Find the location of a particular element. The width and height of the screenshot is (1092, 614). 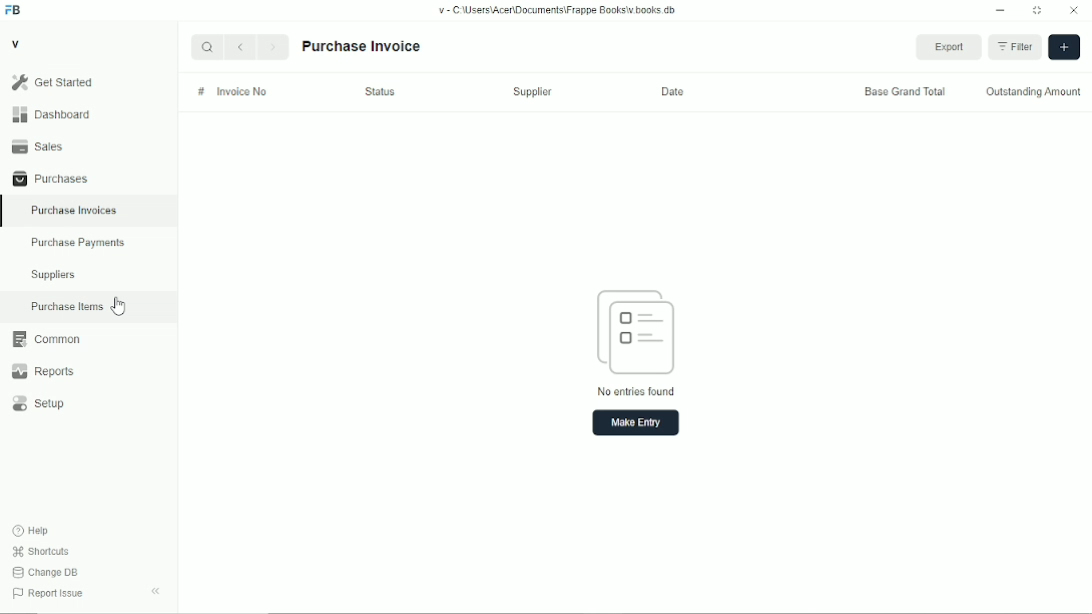

outstanding amount is located at coordinates (1034, 93).